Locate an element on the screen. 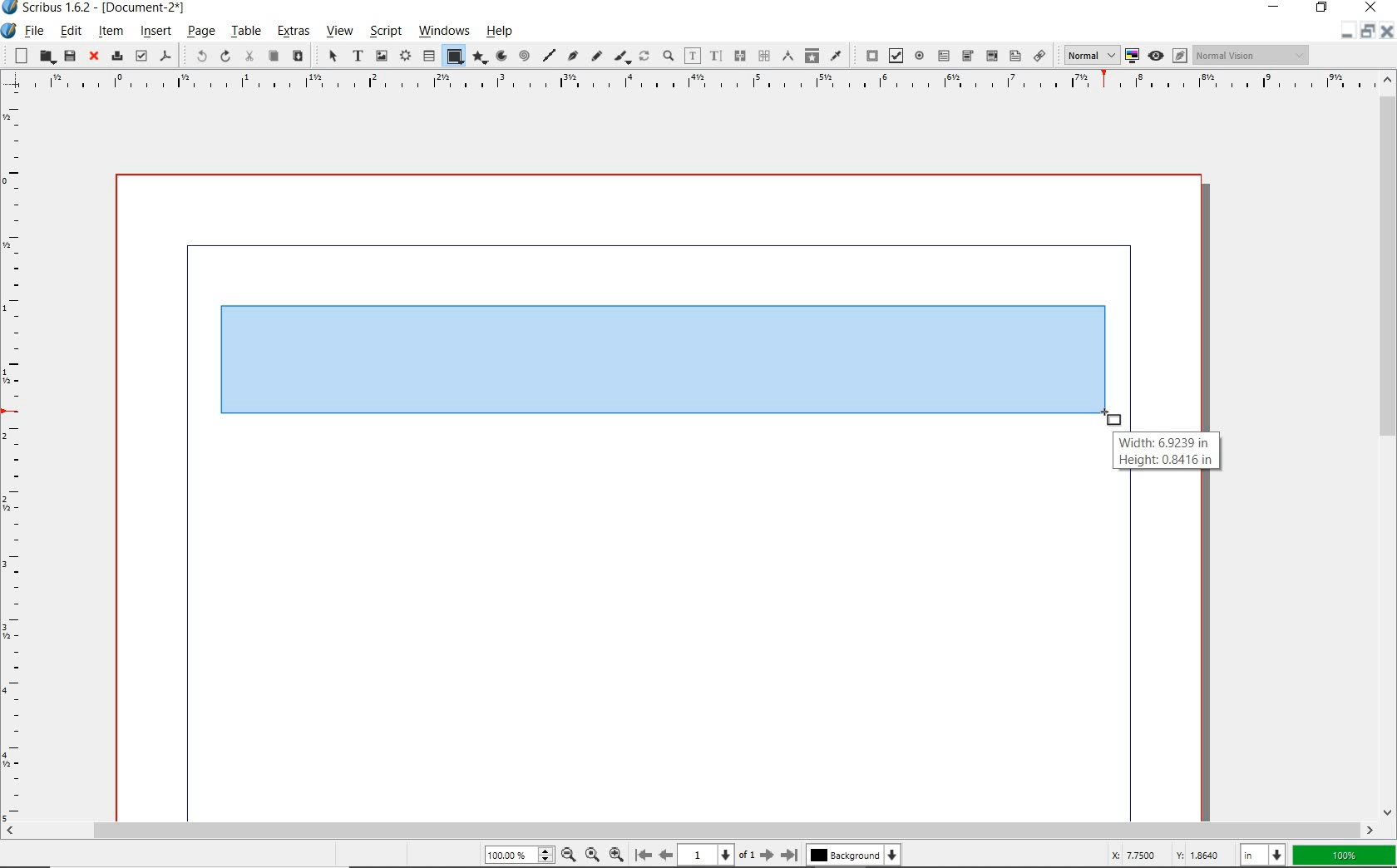 This screenshot has height=868, width=1397. ruler is located at coordinates (692, 84).